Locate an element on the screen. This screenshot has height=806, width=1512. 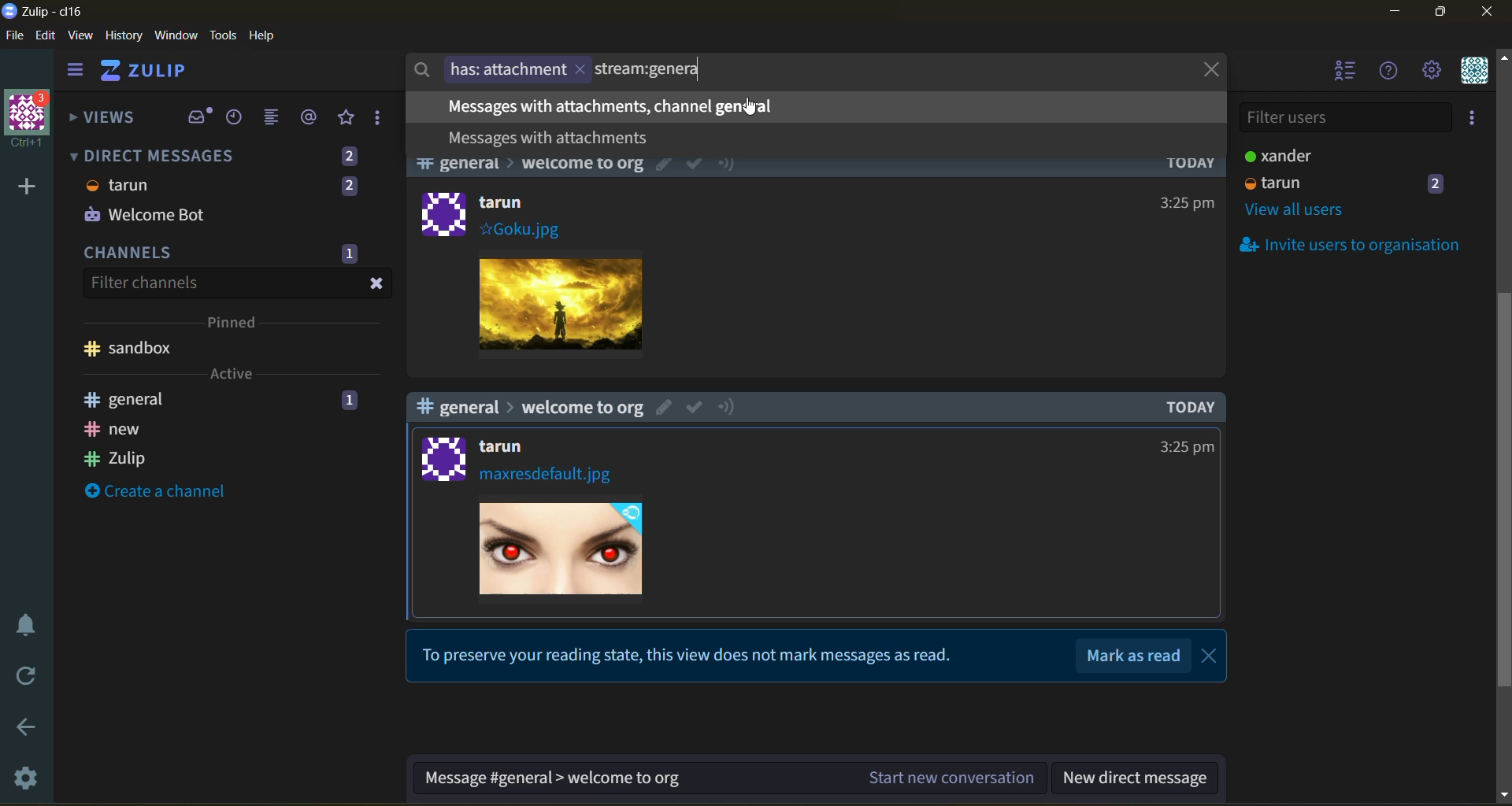
2 is located at coordinates (349, 185).